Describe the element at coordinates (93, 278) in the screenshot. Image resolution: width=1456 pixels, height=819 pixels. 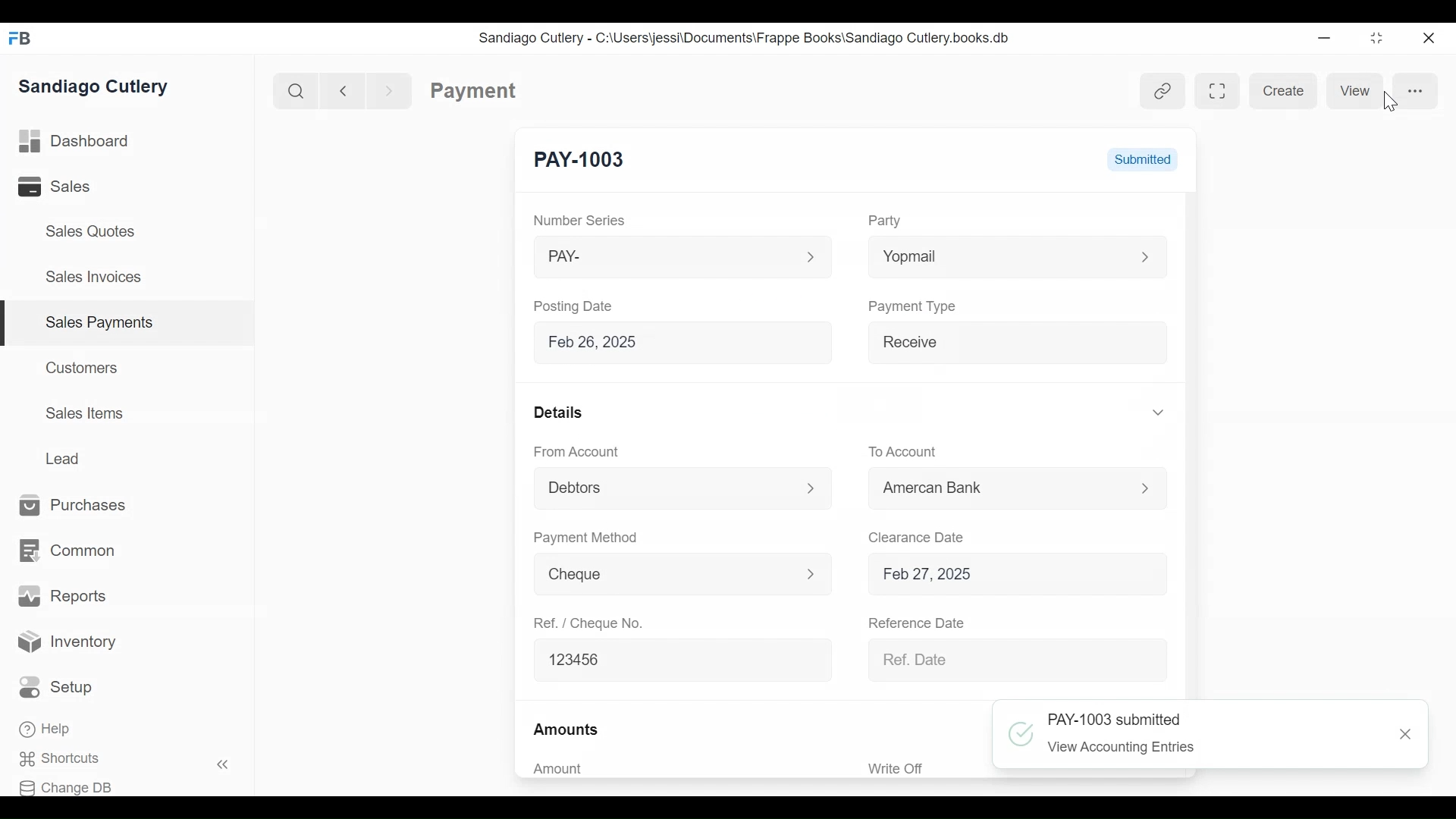
I see `Sales Invoices` at that location.